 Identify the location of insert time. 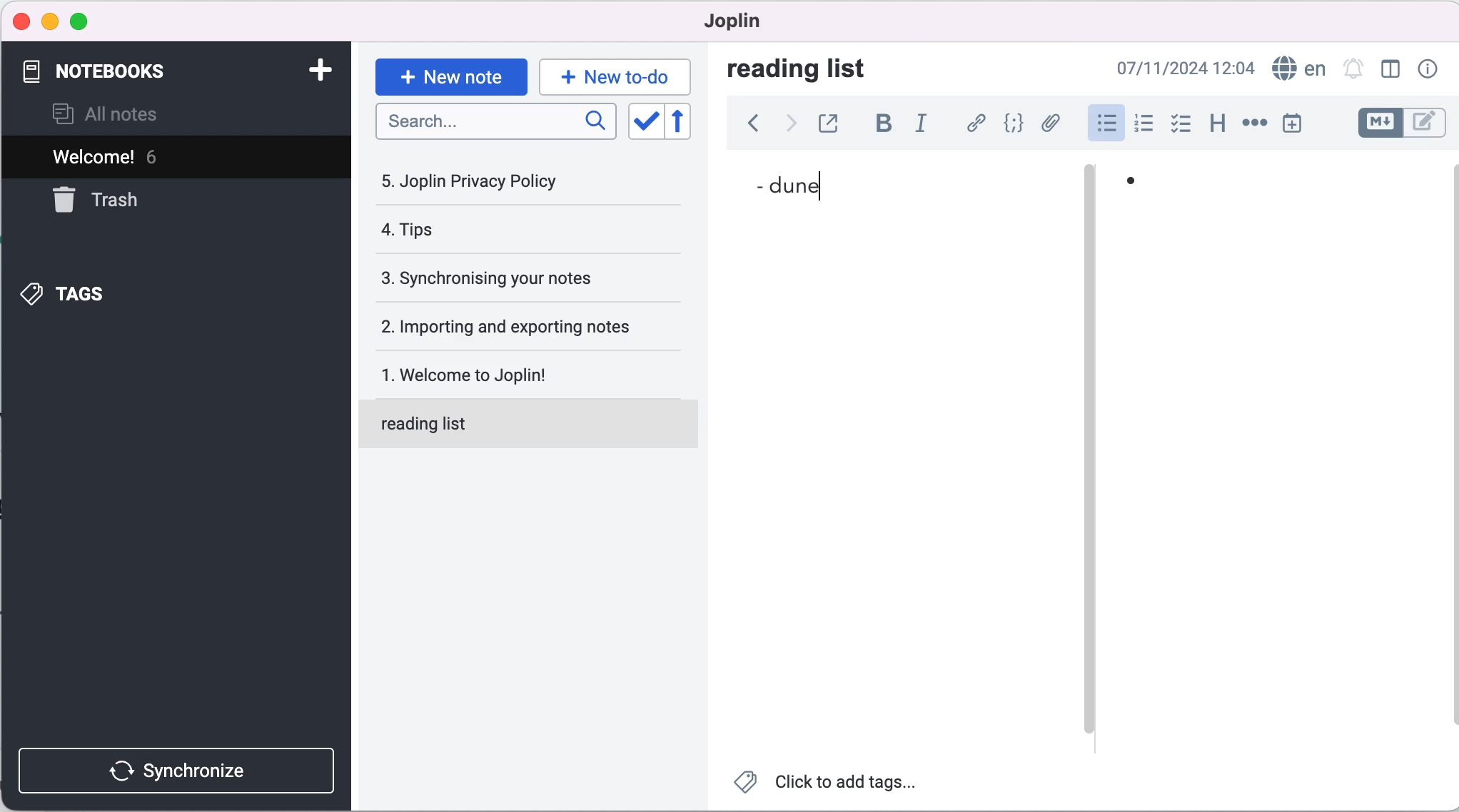
(1291, 126).